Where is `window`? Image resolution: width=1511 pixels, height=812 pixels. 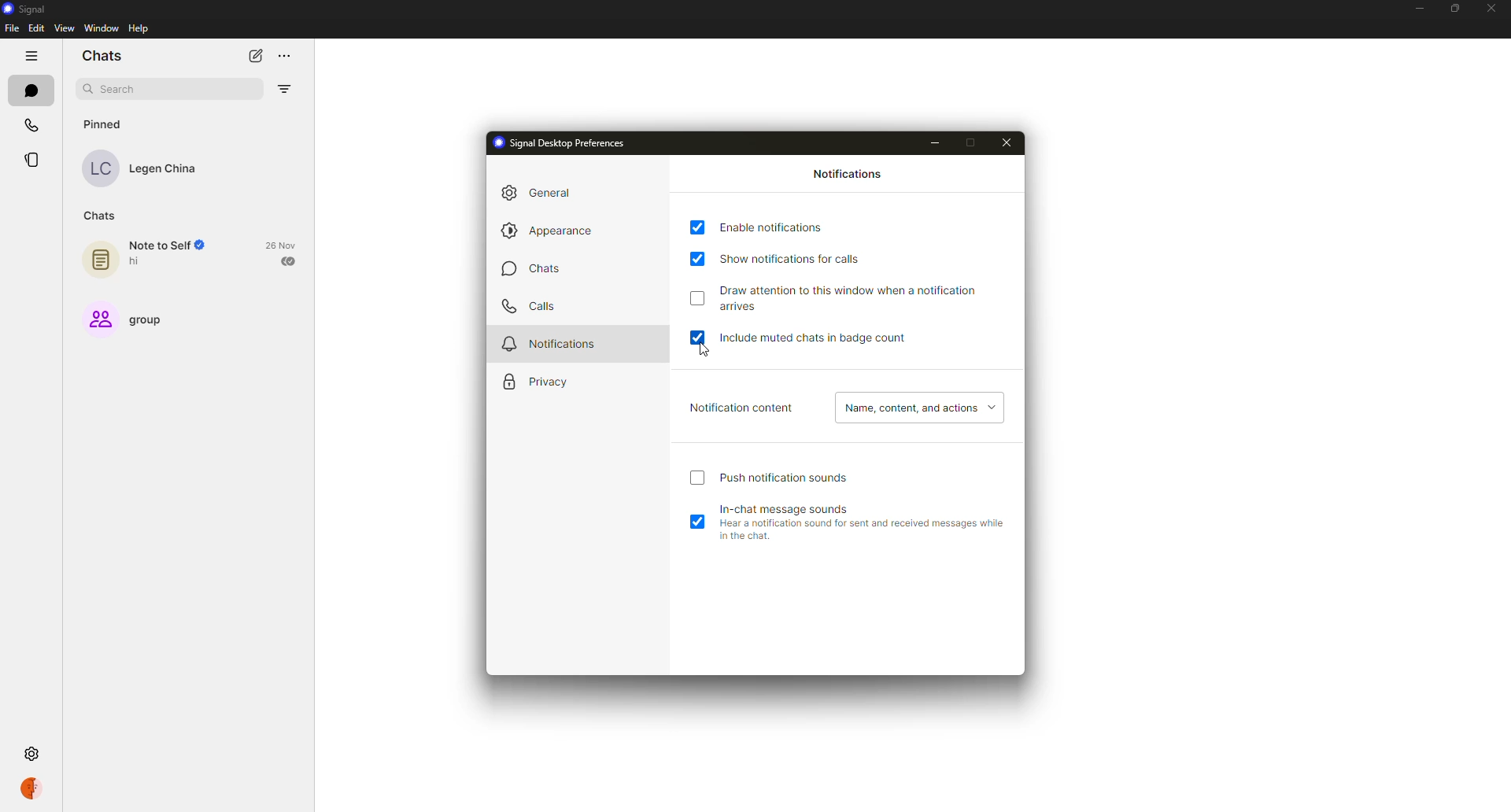
window is located at coordinates (104, 28).